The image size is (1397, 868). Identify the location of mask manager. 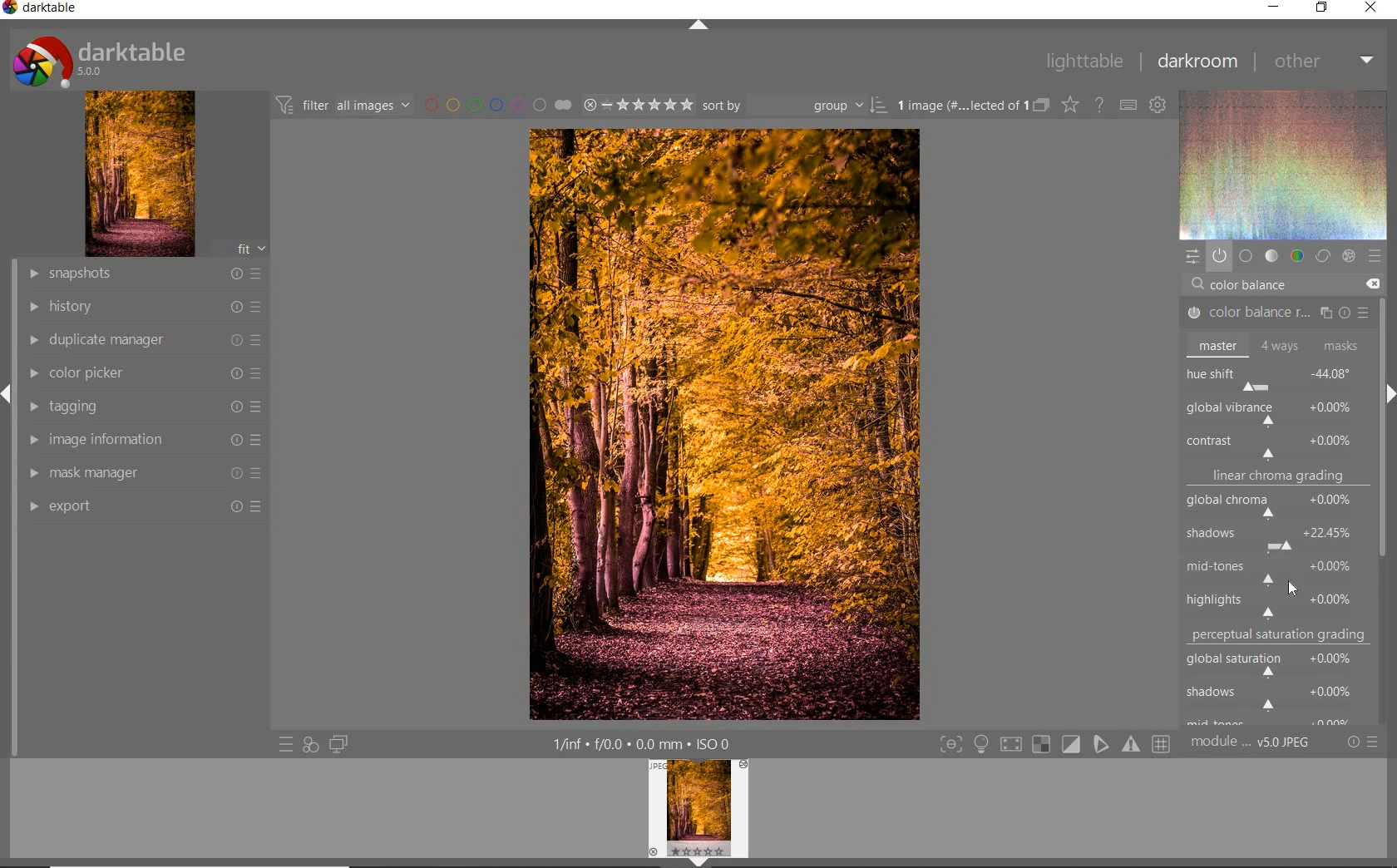
(146, 473).